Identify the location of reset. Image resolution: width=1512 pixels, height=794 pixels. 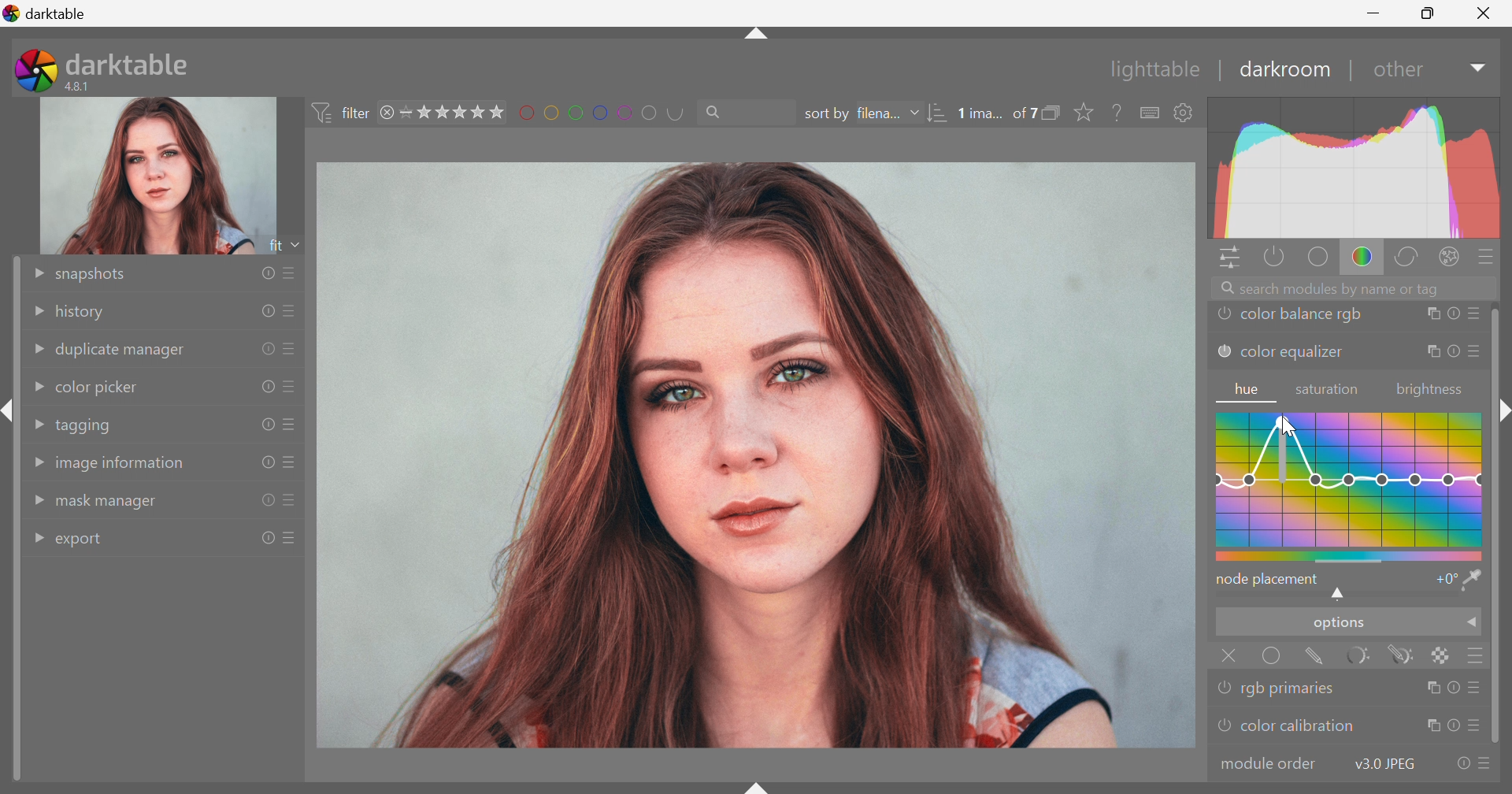
(1452, 726).